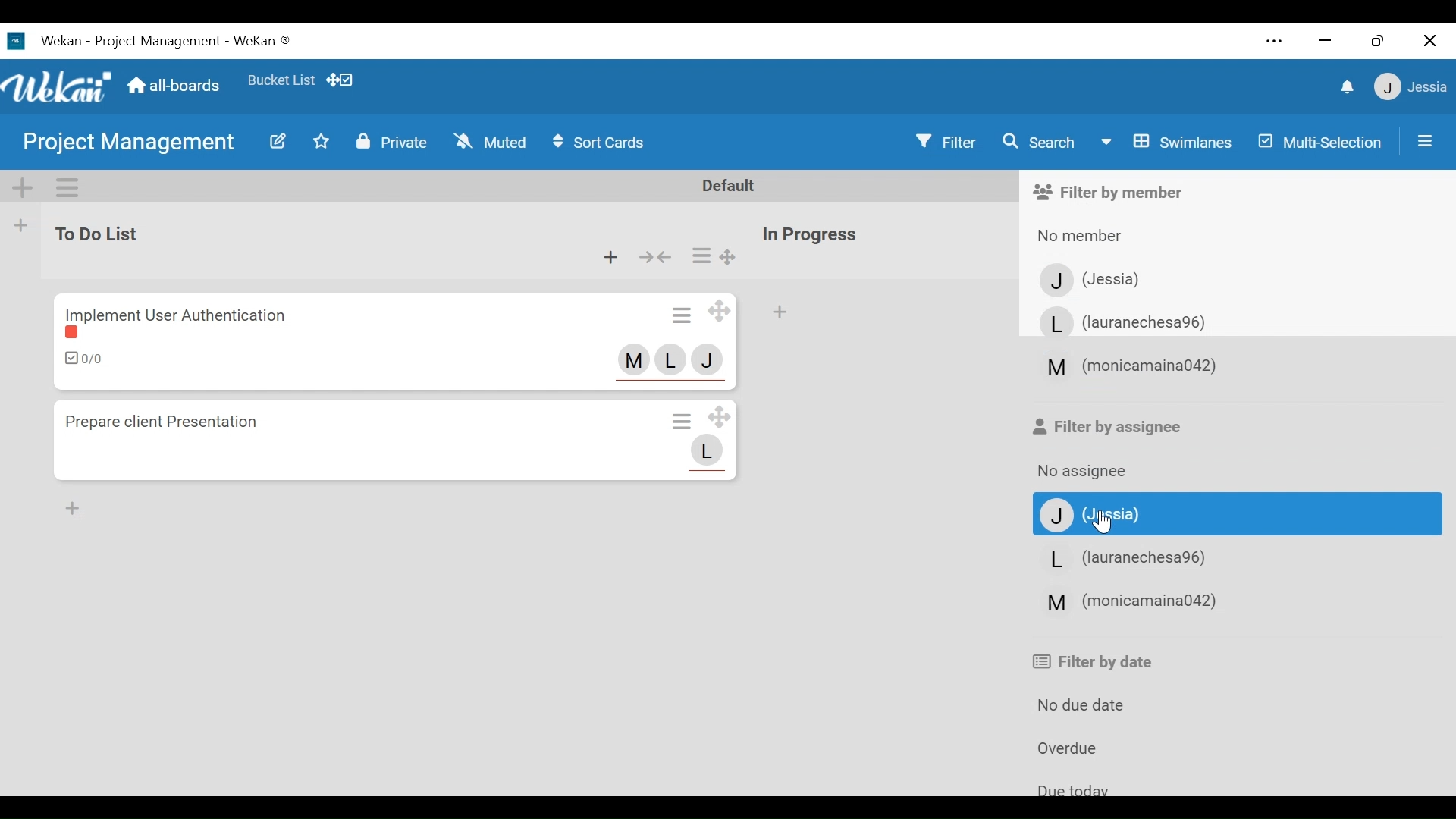 The width and height of the screenshot is (1456, 819). What do you see at coordinates (631, 361) in the screenshot?
I see `member` at bounding box center [631, 361].